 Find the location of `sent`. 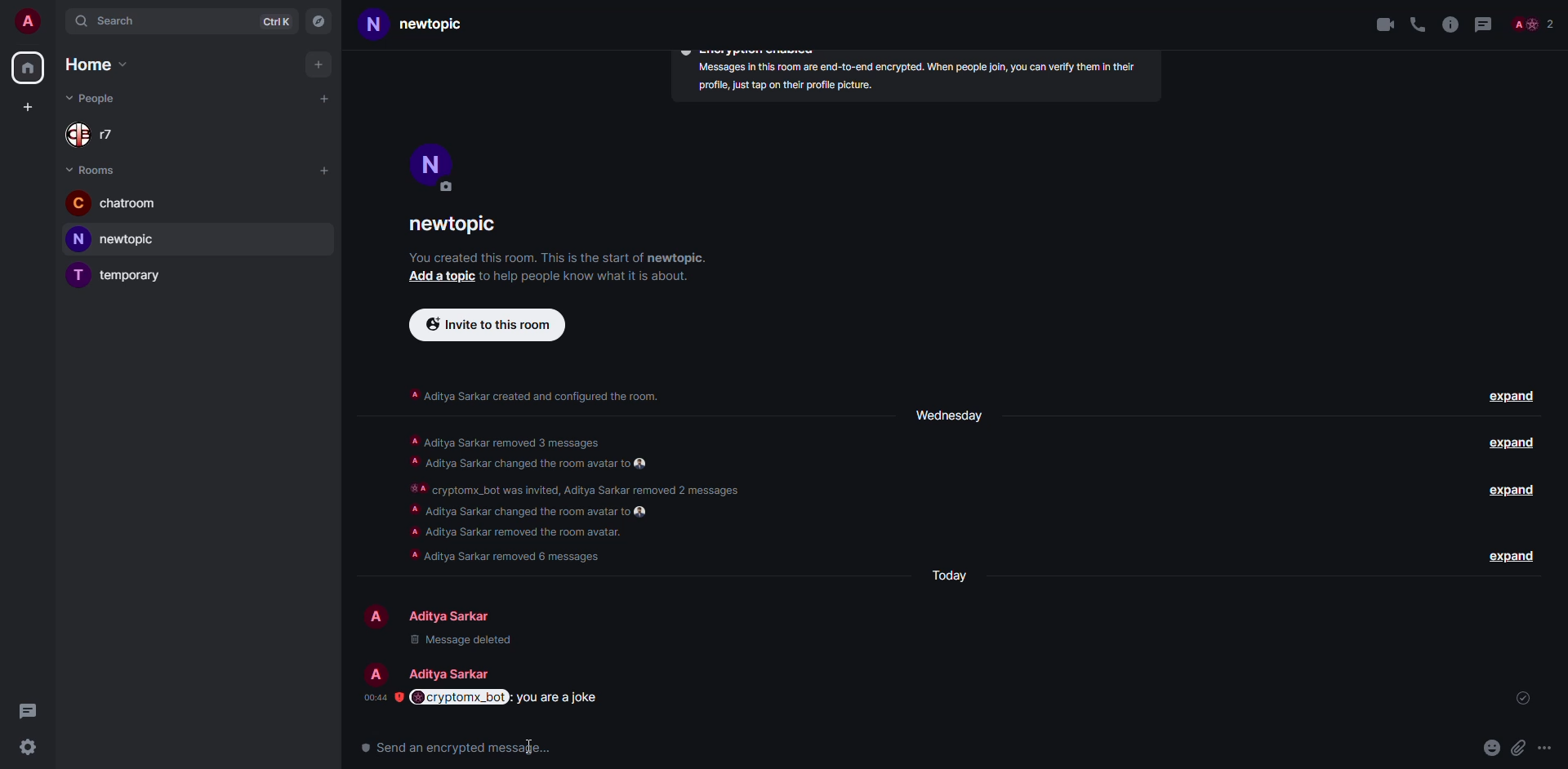

sent is located at coordinates (1523, 698).